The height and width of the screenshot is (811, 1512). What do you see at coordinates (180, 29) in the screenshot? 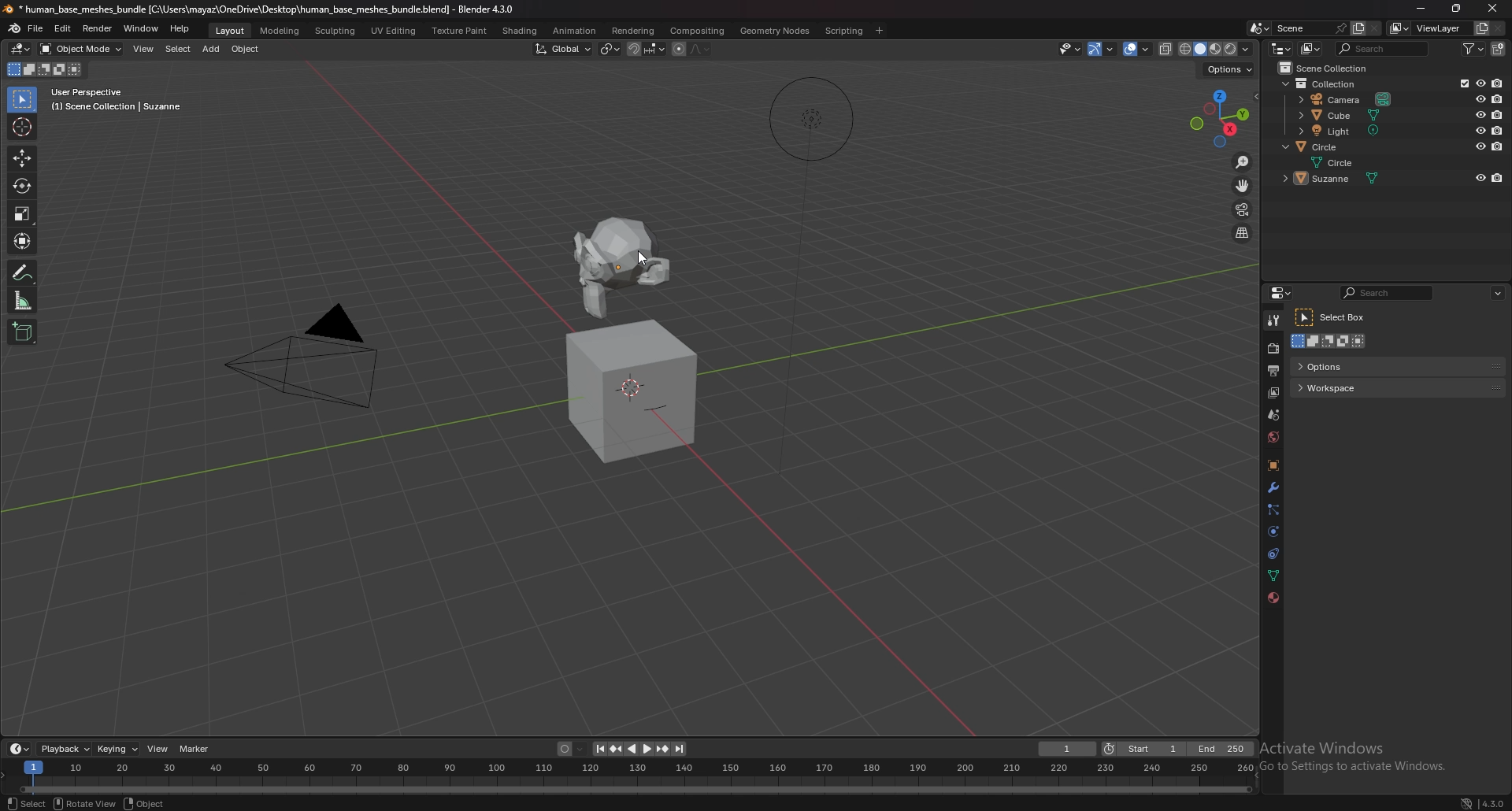
I see `help` at bounding box center [180, 29].